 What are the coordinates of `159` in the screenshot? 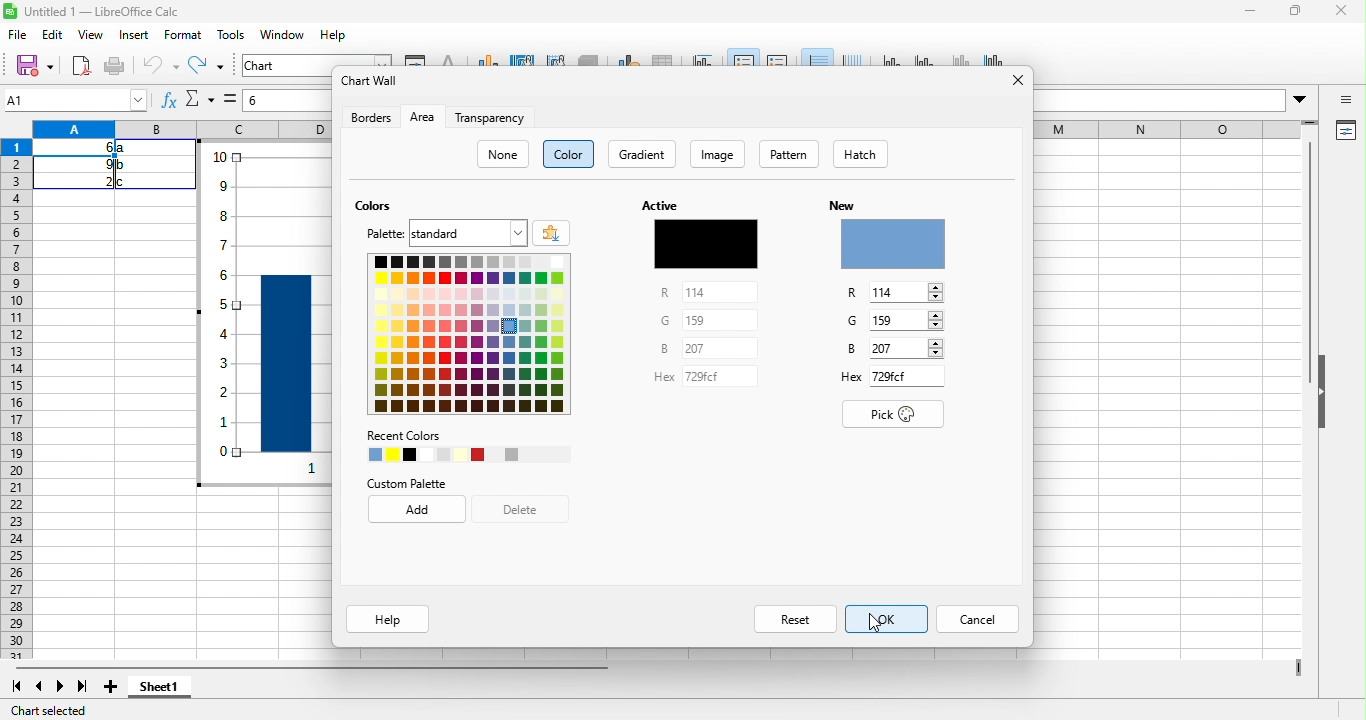 It's located at (907, 321).